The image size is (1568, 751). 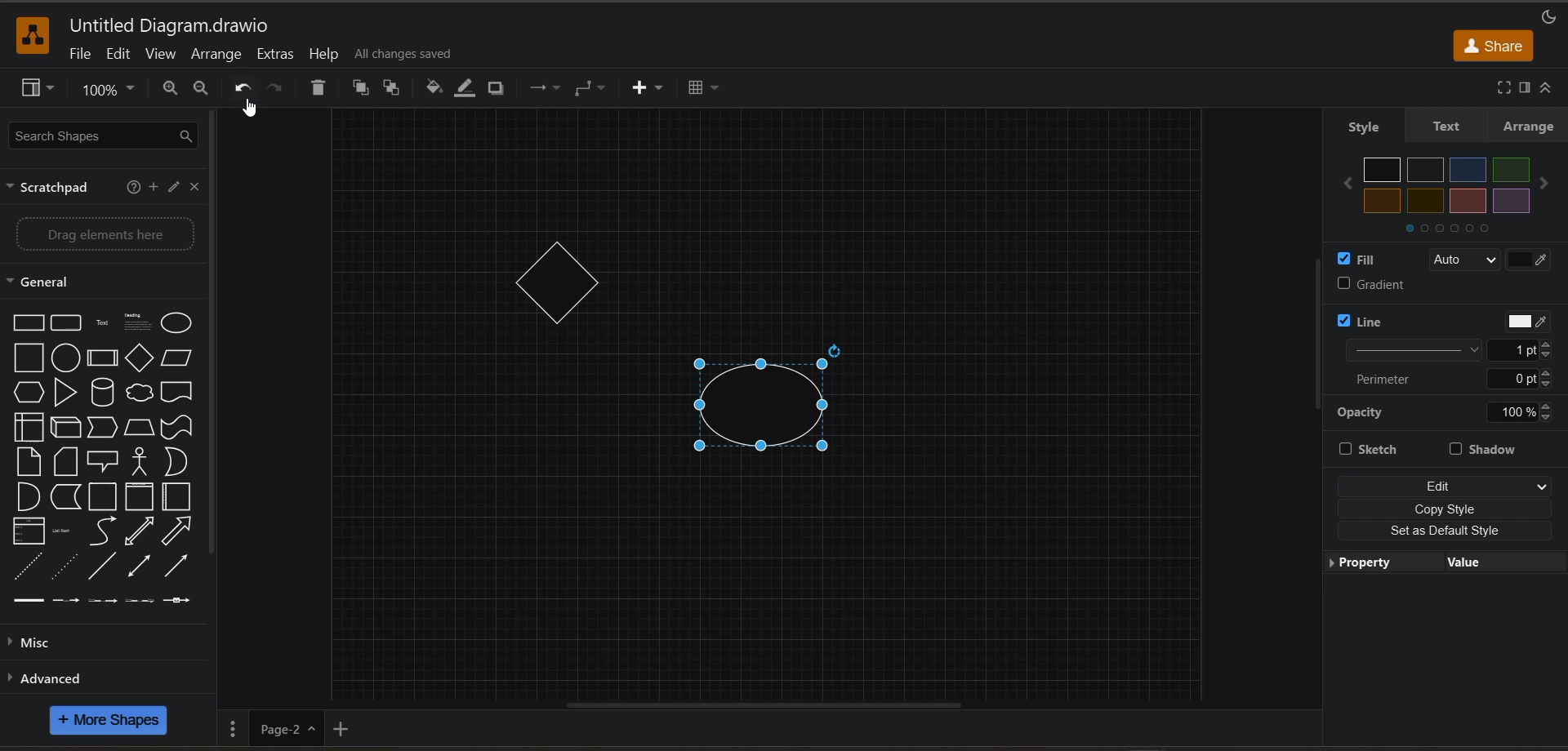 I want to click on to back, so click(x=393, y=91).